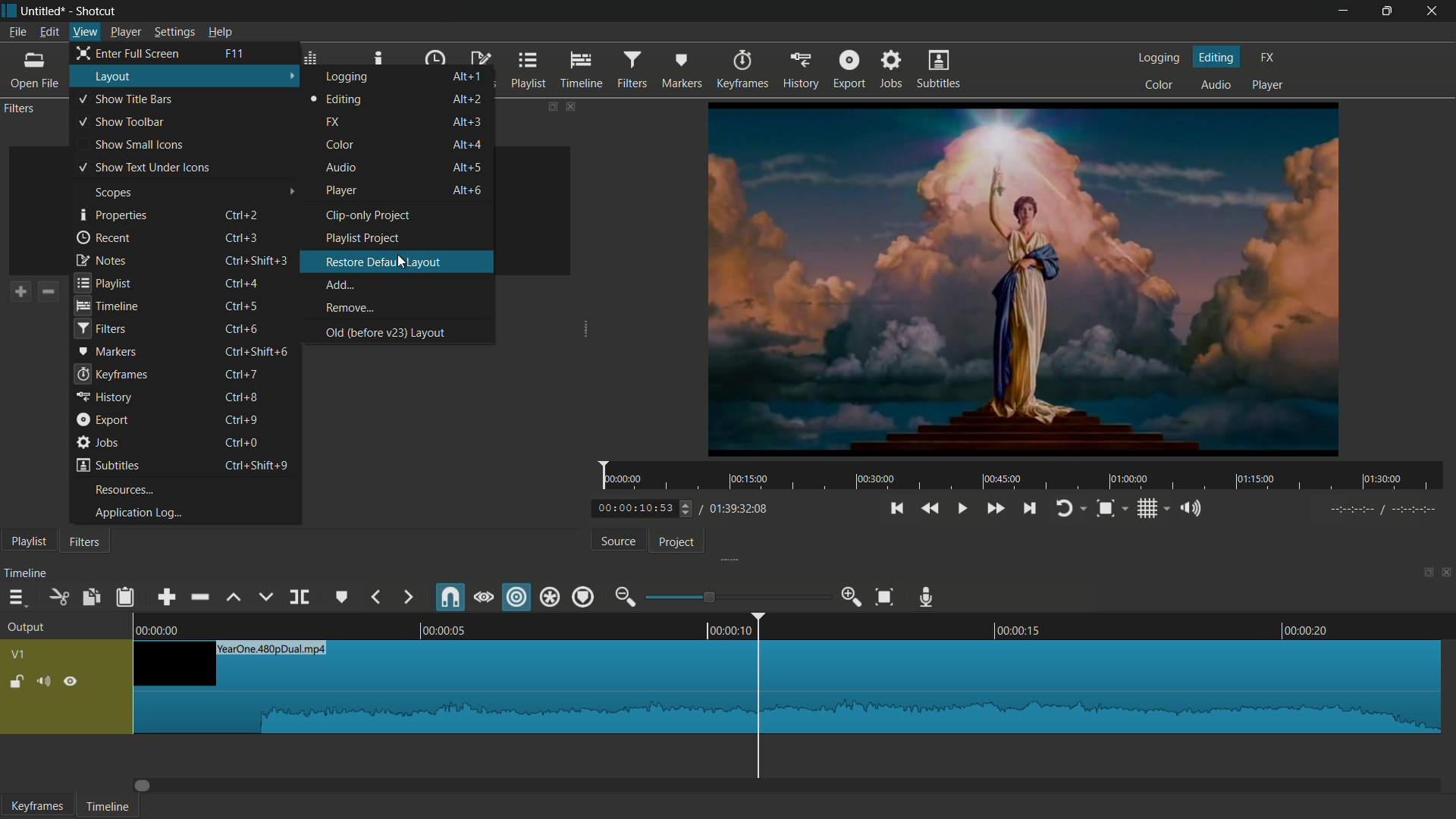 The image size is (1456, 819). I want to click on toggle grid, so click(1148, 509).